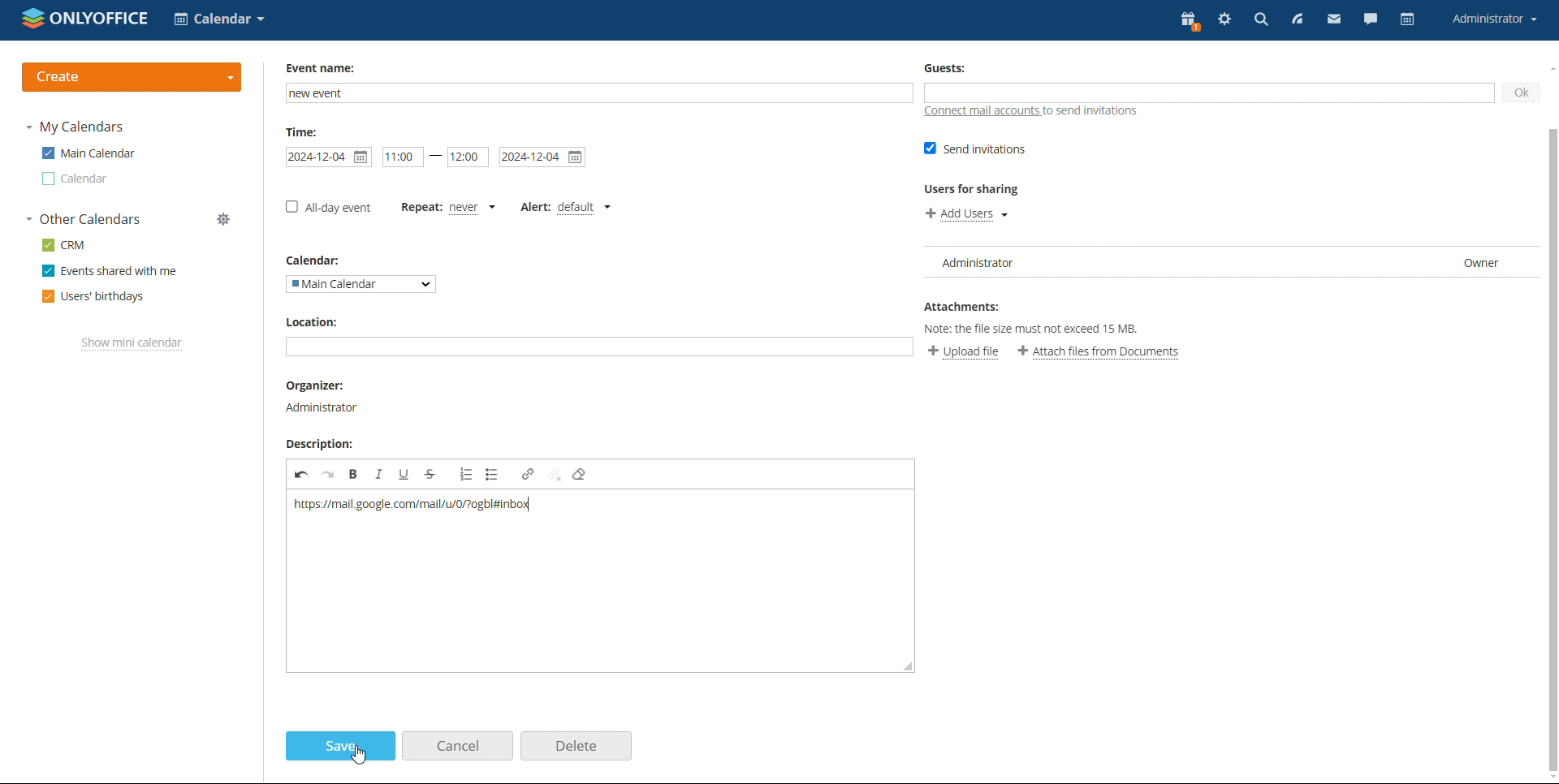 The width and height of the screenshot is (1559, 784). I want to click on add guests, so click(1207, 92).